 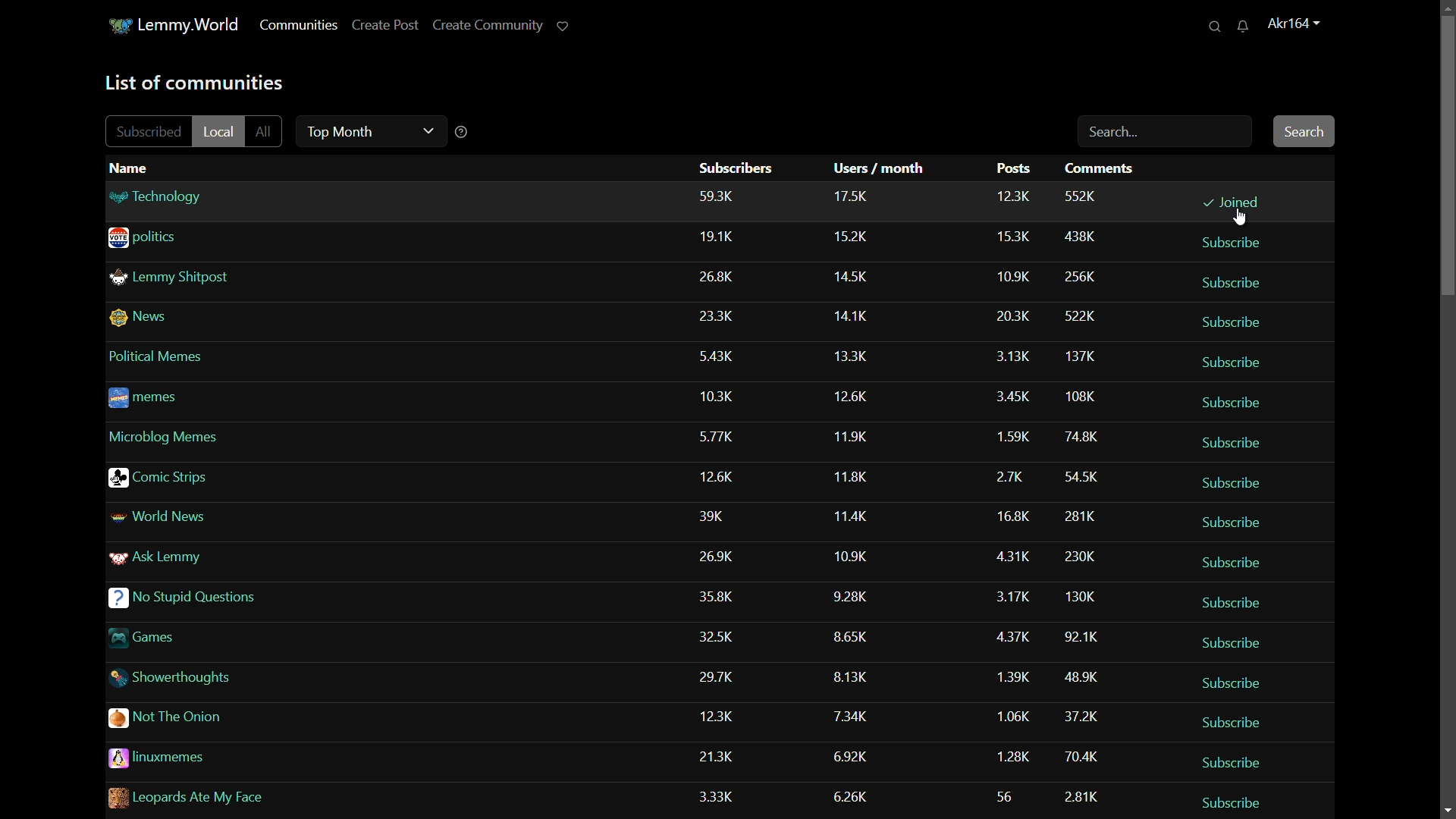 I want to click on posts, so click(x=1016, y=554).